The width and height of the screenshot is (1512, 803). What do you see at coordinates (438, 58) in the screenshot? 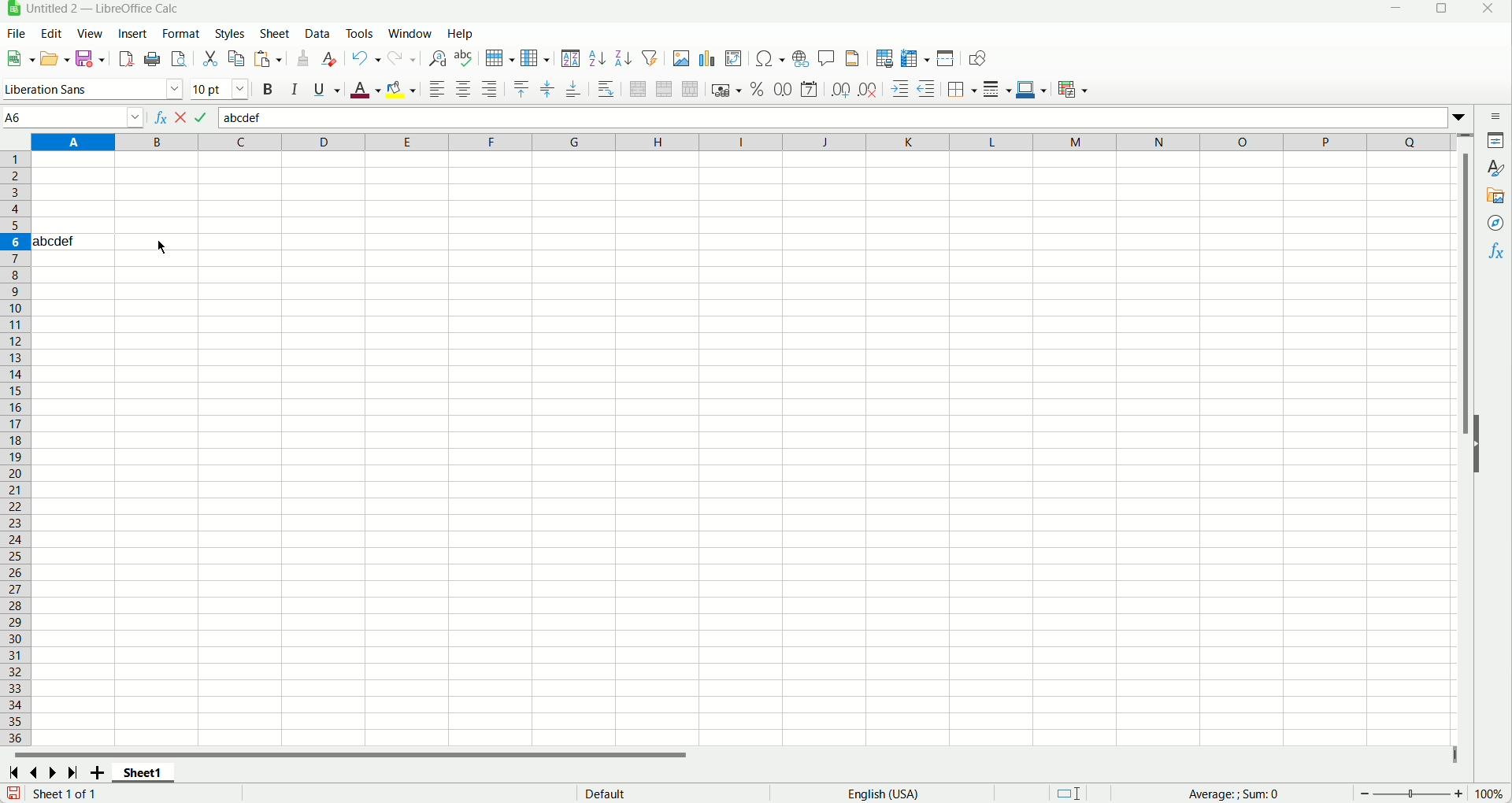
I see `find and replace` at bounding box center [438, 58].